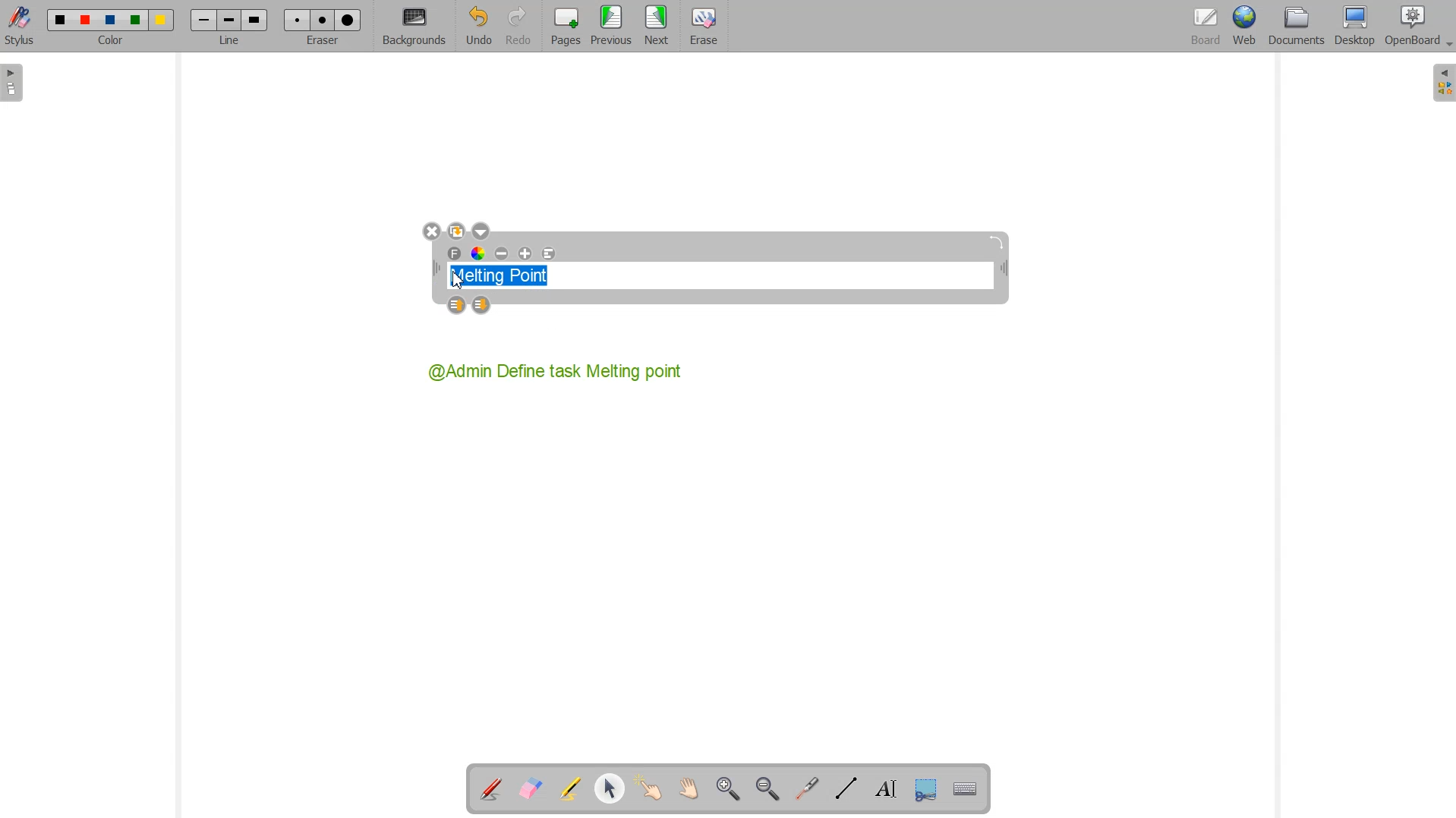  What do you see at coordinates (563, 27) in the screenshot?
I see `Pages` at bounding box center [563, 27].